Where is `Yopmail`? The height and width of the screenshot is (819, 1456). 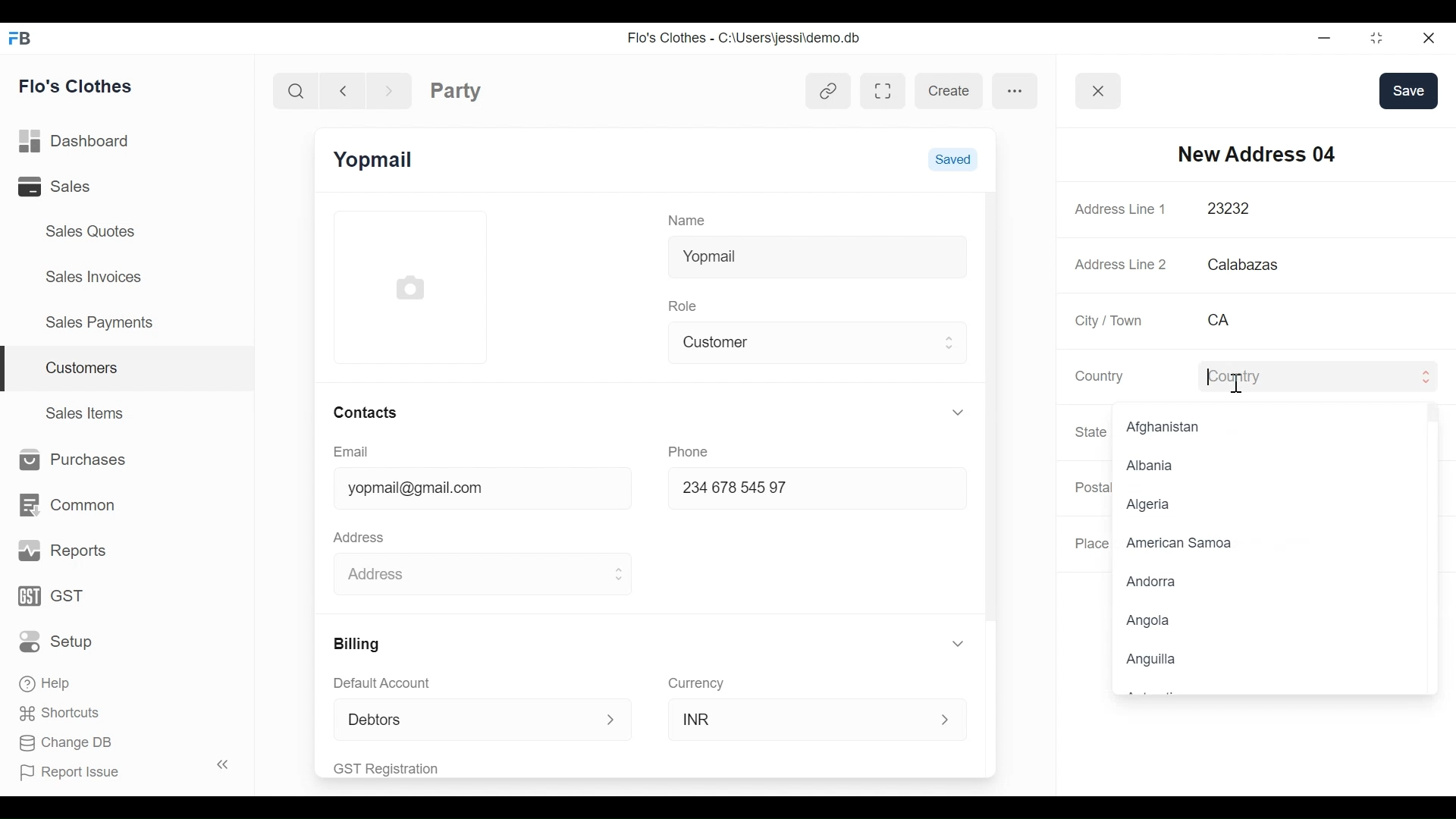
Yopmail is located at coordinates (375, 160).